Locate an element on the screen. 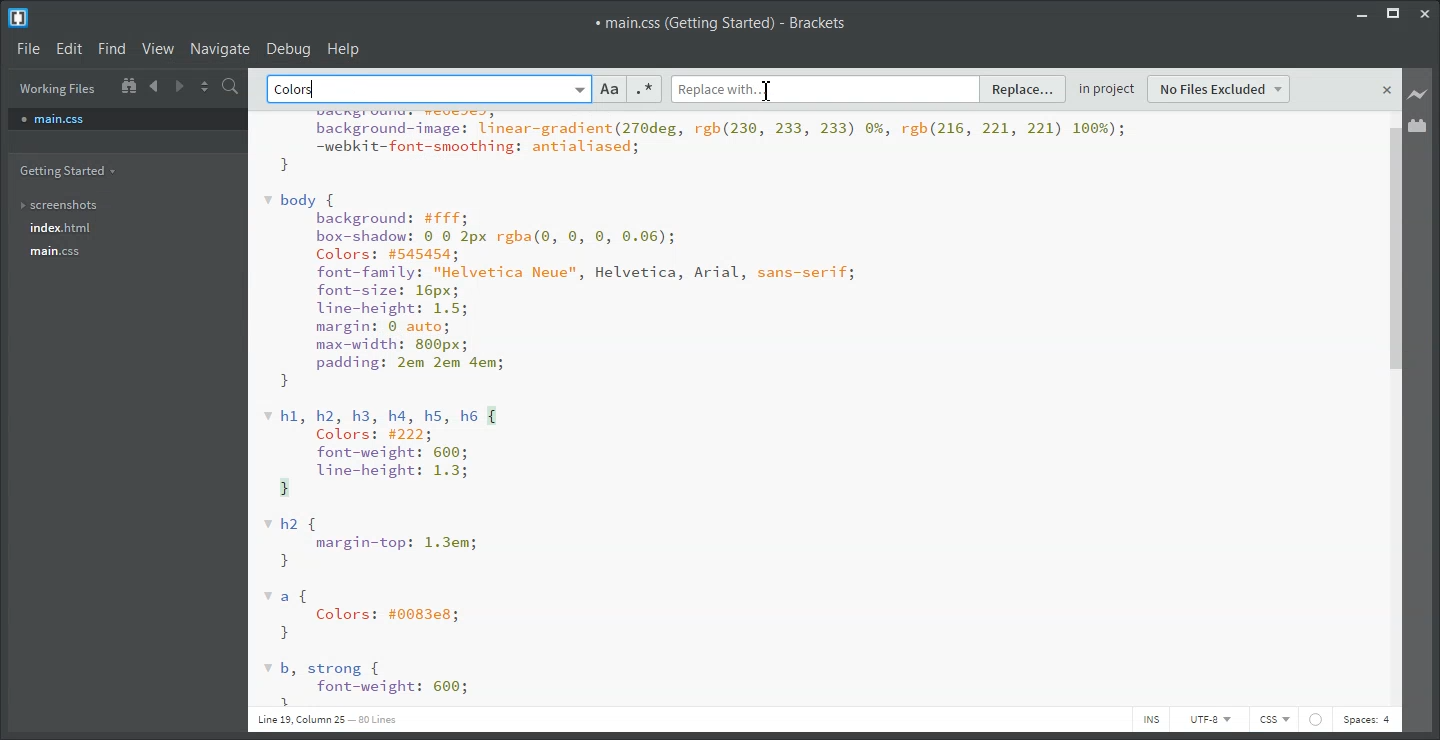  Navigate Forward is located at coordinates (180, 84).